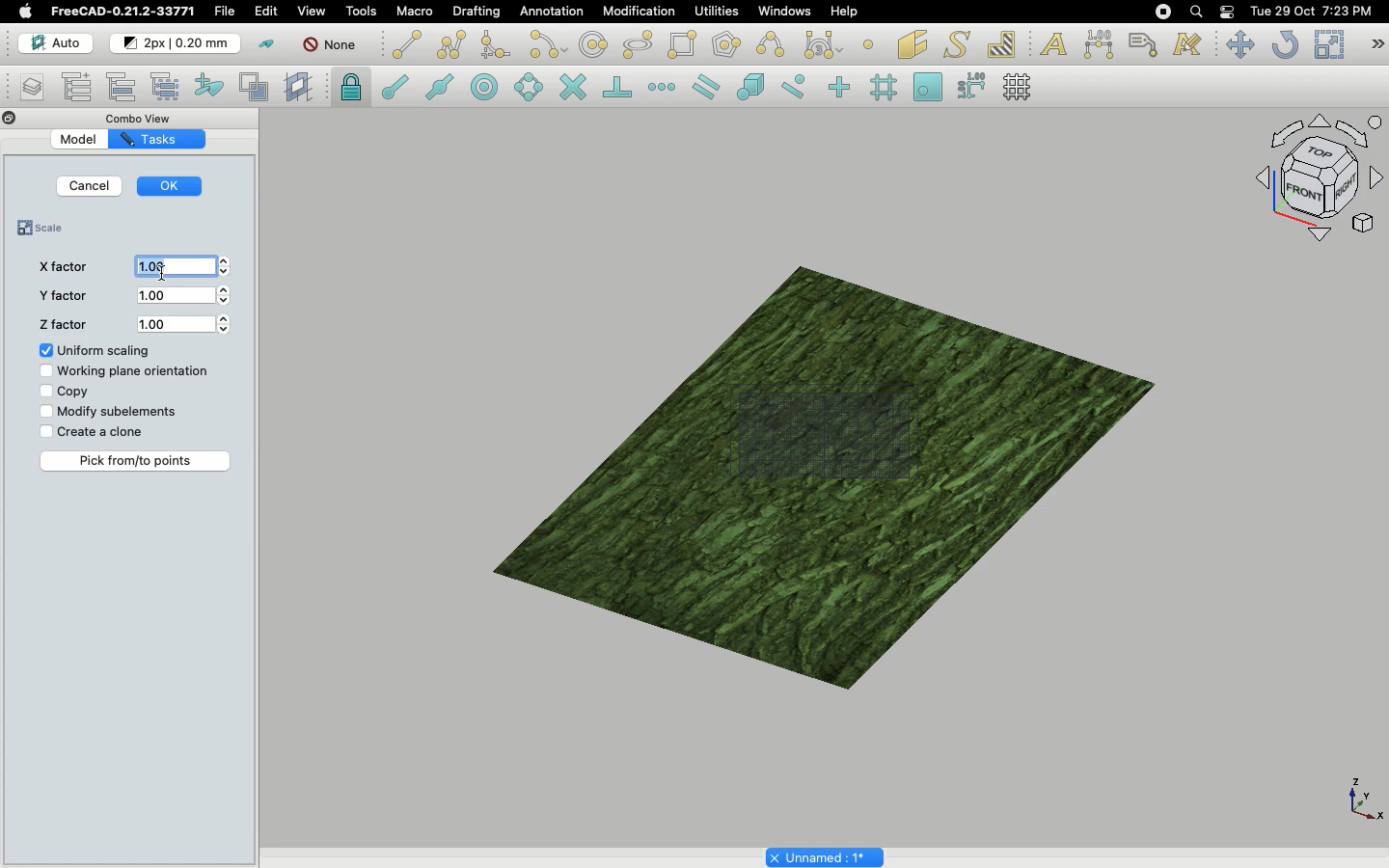 The width and height of the screenshot is (1389, 868). What do you see at coordinates (572, 85) in the screenshot?
I see `Snap intersection` at bounding box center [572, 85].